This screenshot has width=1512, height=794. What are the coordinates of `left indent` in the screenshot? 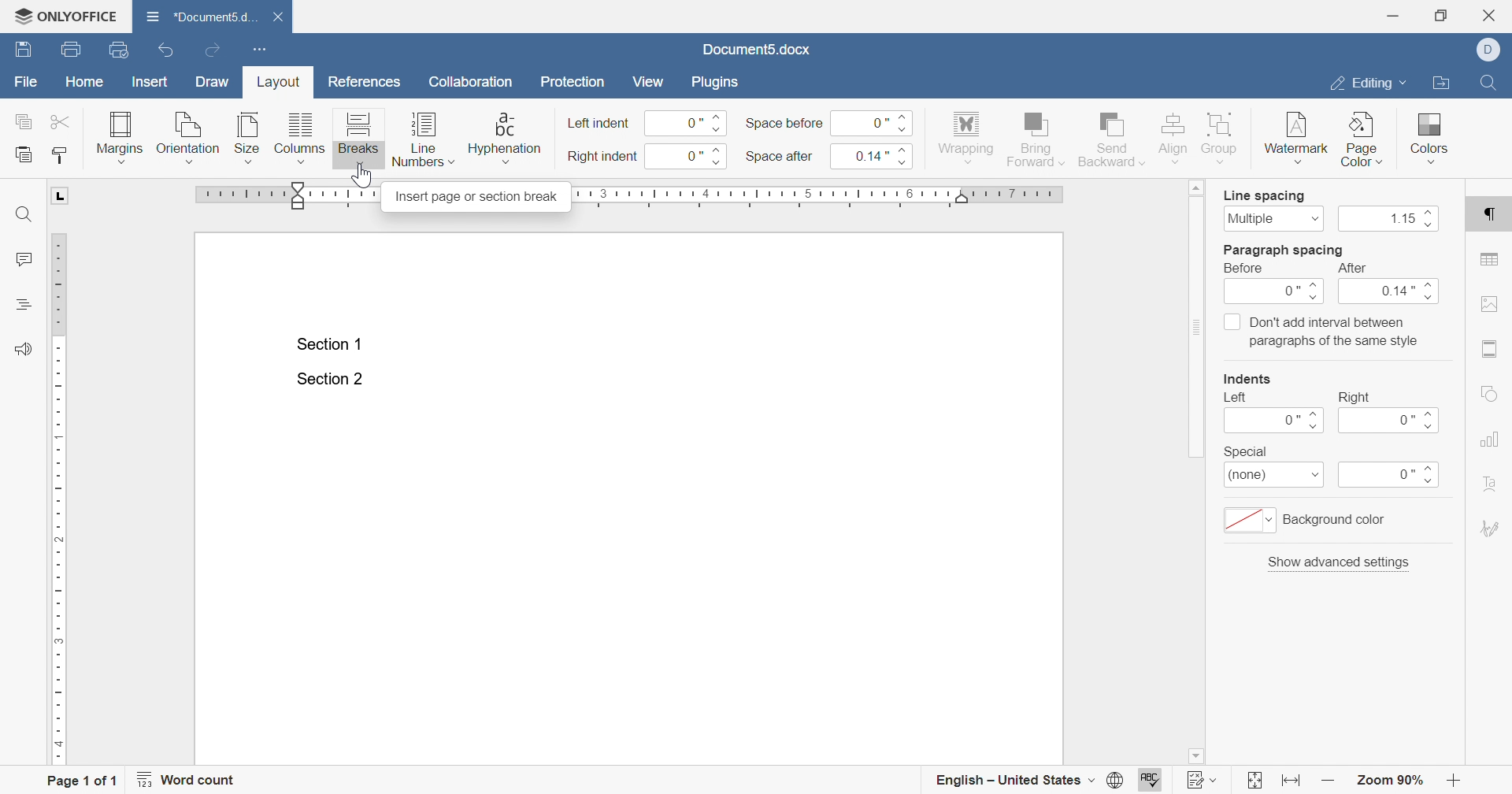 It's located at (600, 124).